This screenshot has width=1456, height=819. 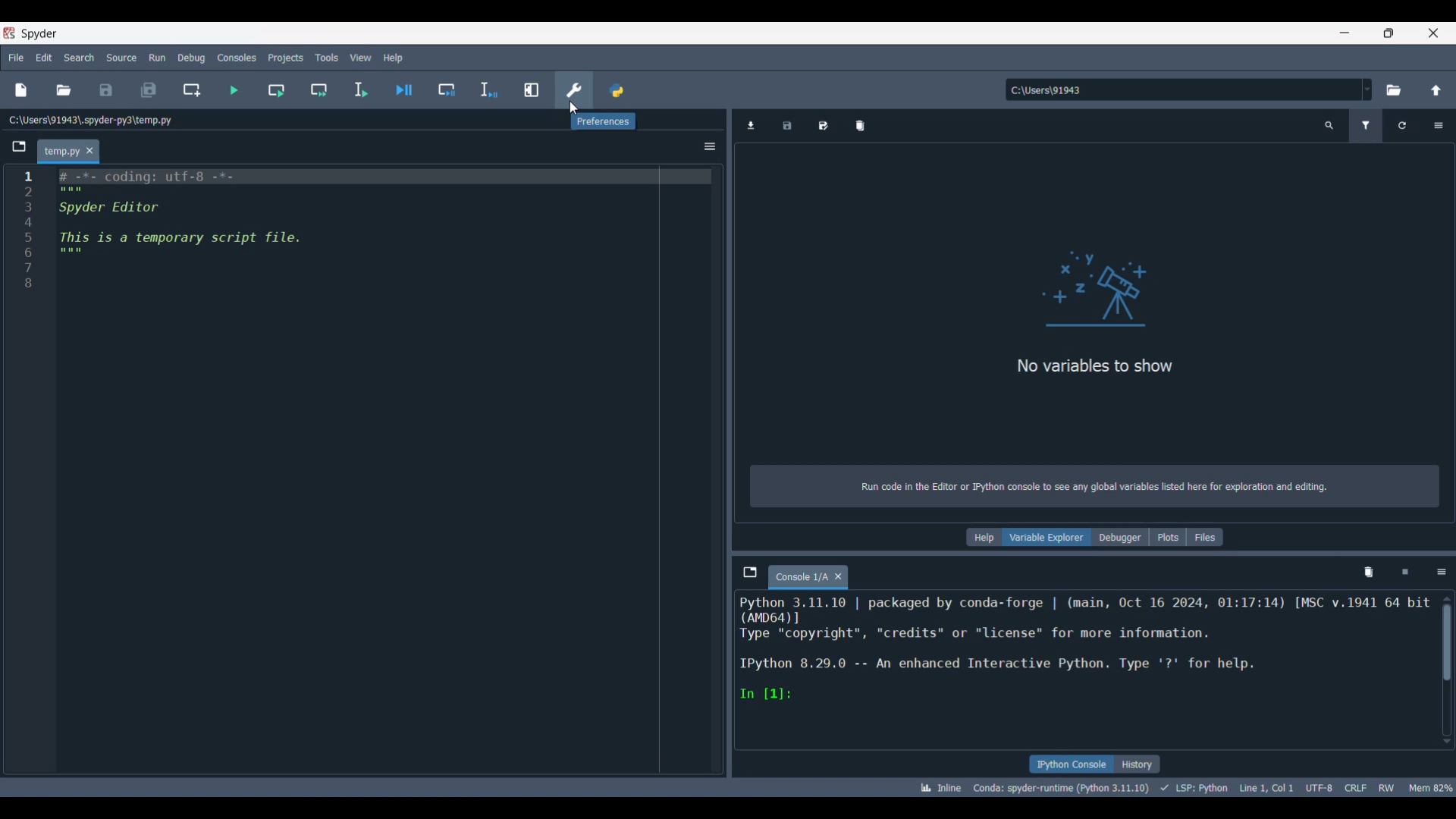 I want to click on Browse tabs, so click(x=19, y=147).